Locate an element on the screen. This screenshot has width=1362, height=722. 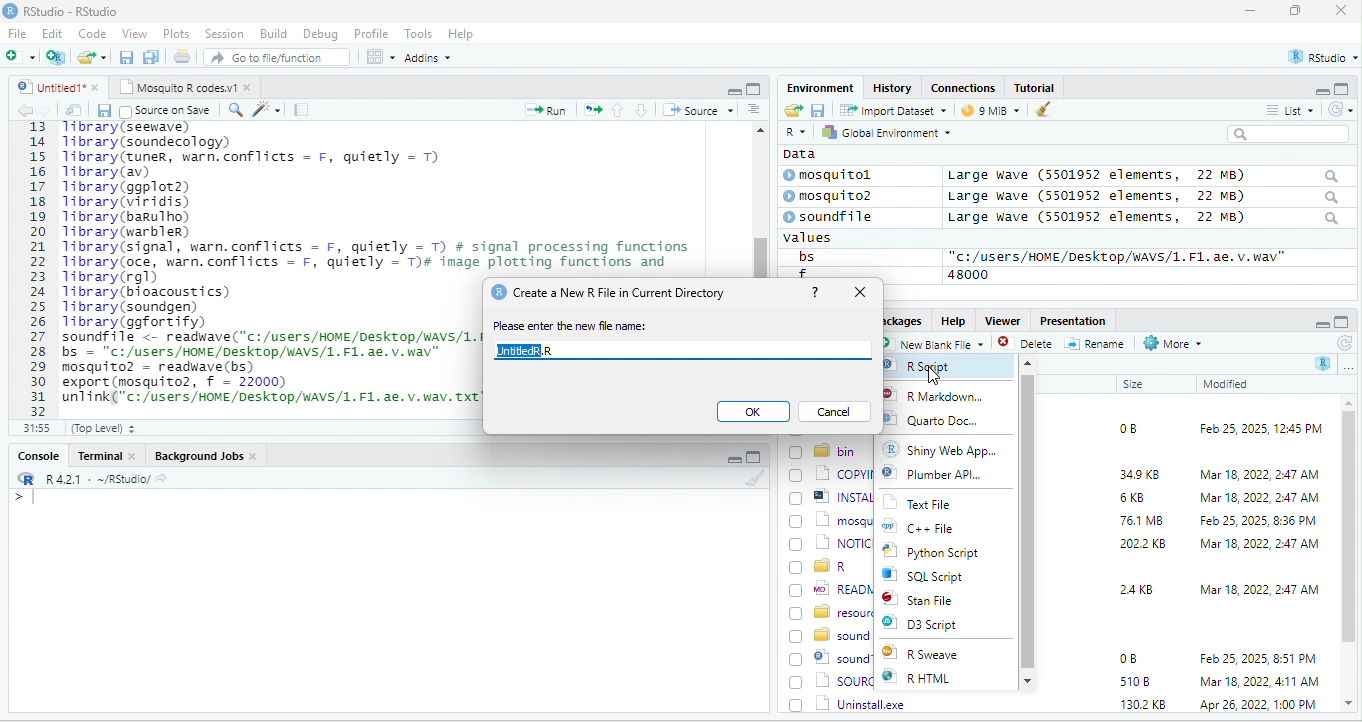
Plumber APL... is located at coordinates (948, 479).